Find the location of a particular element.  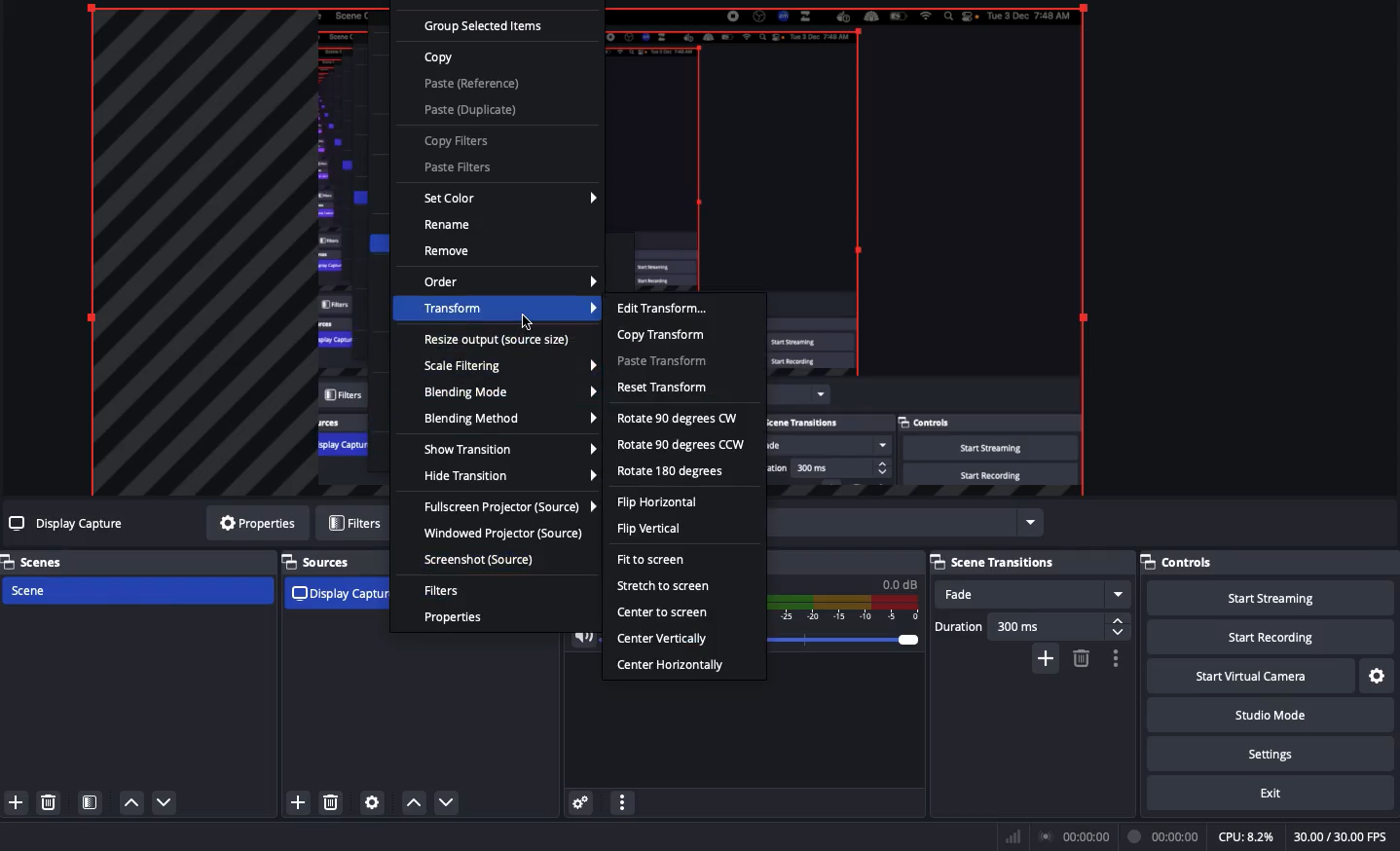

Controls is located at coordinates (1270, 564).